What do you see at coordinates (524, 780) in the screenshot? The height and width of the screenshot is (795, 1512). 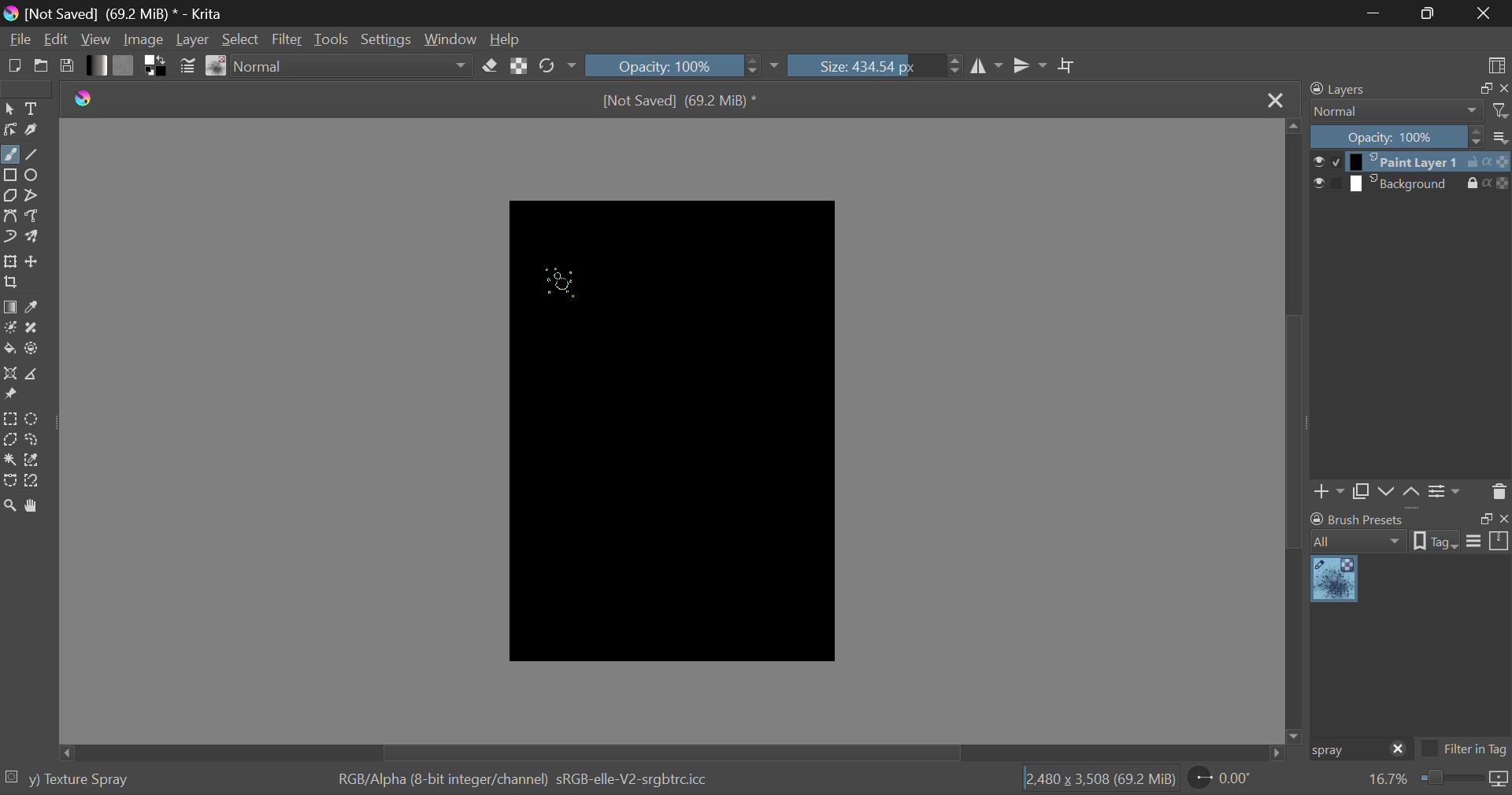 I see `RGB/Alpha (8-bit integer/channel) sRGB-elle-V2-srgbtrcicc` at bounding box center [524, 780].